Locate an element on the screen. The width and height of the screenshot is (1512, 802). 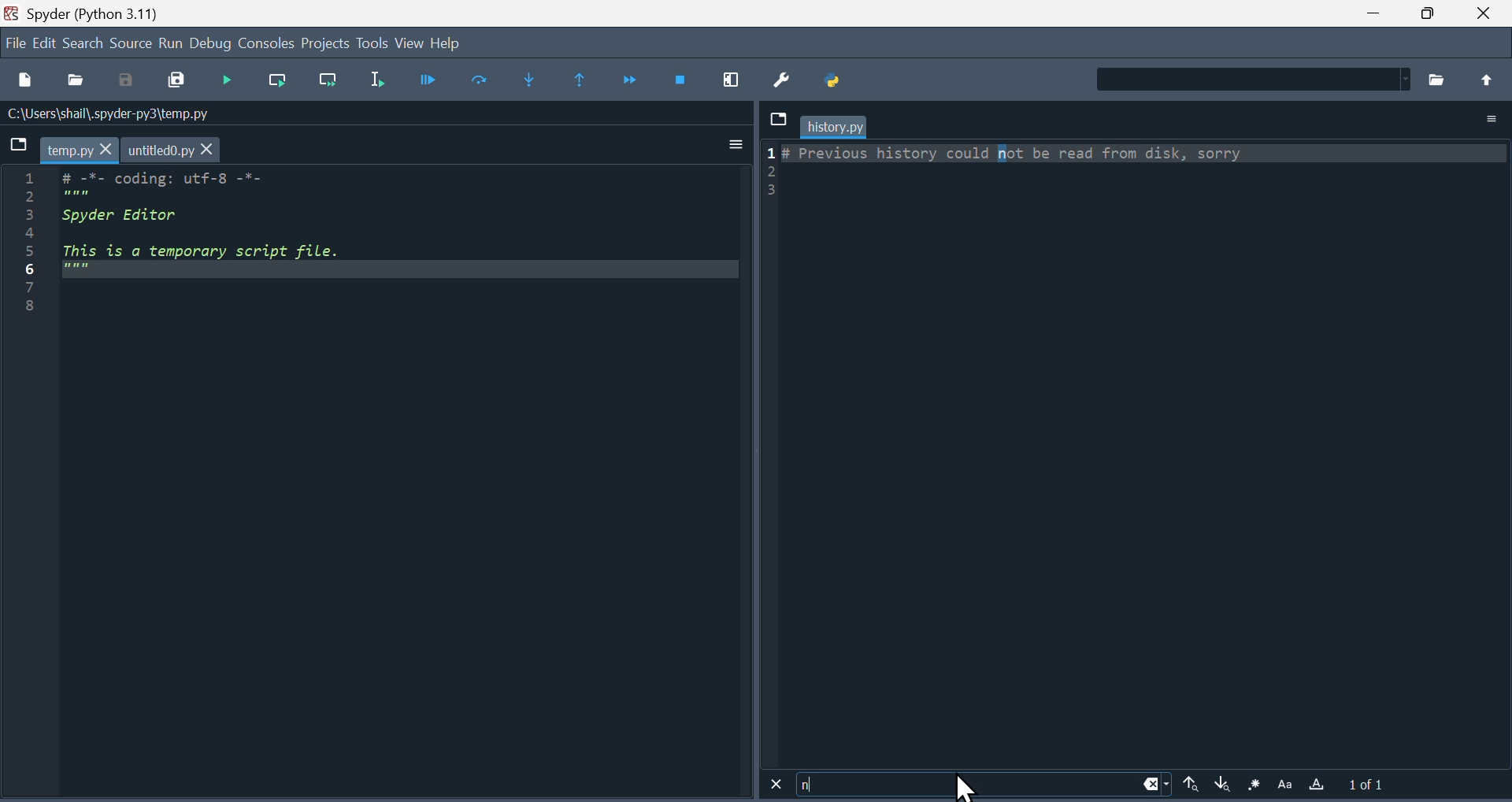
temp.py is located at coordinates (78, 149).